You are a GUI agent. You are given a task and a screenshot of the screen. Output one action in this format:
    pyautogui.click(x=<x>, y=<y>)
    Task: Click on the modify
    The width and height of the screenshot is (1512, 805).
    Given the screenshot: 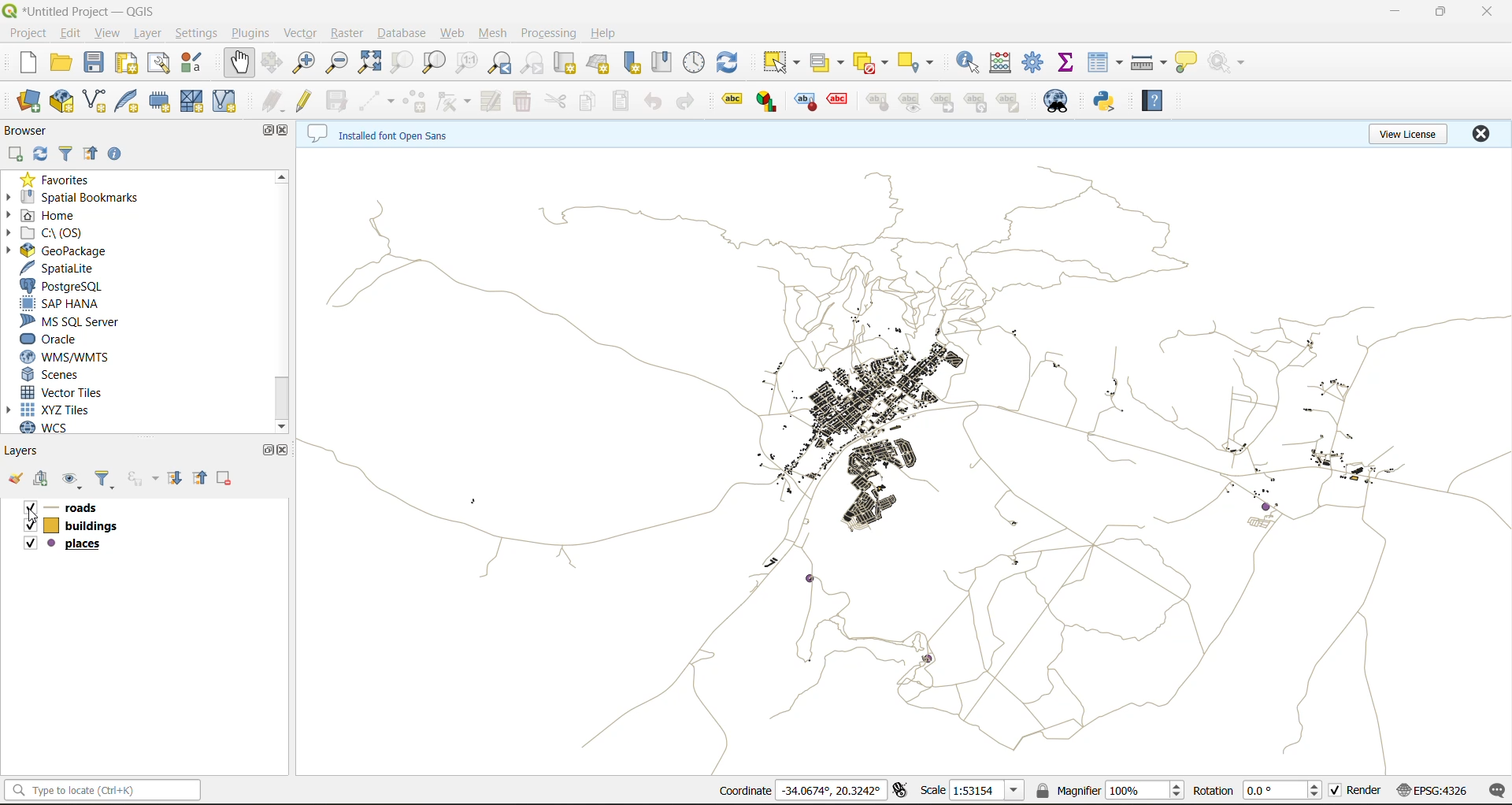 What is the action you would take?
    pyautogui.click(x=494, y=100)
    